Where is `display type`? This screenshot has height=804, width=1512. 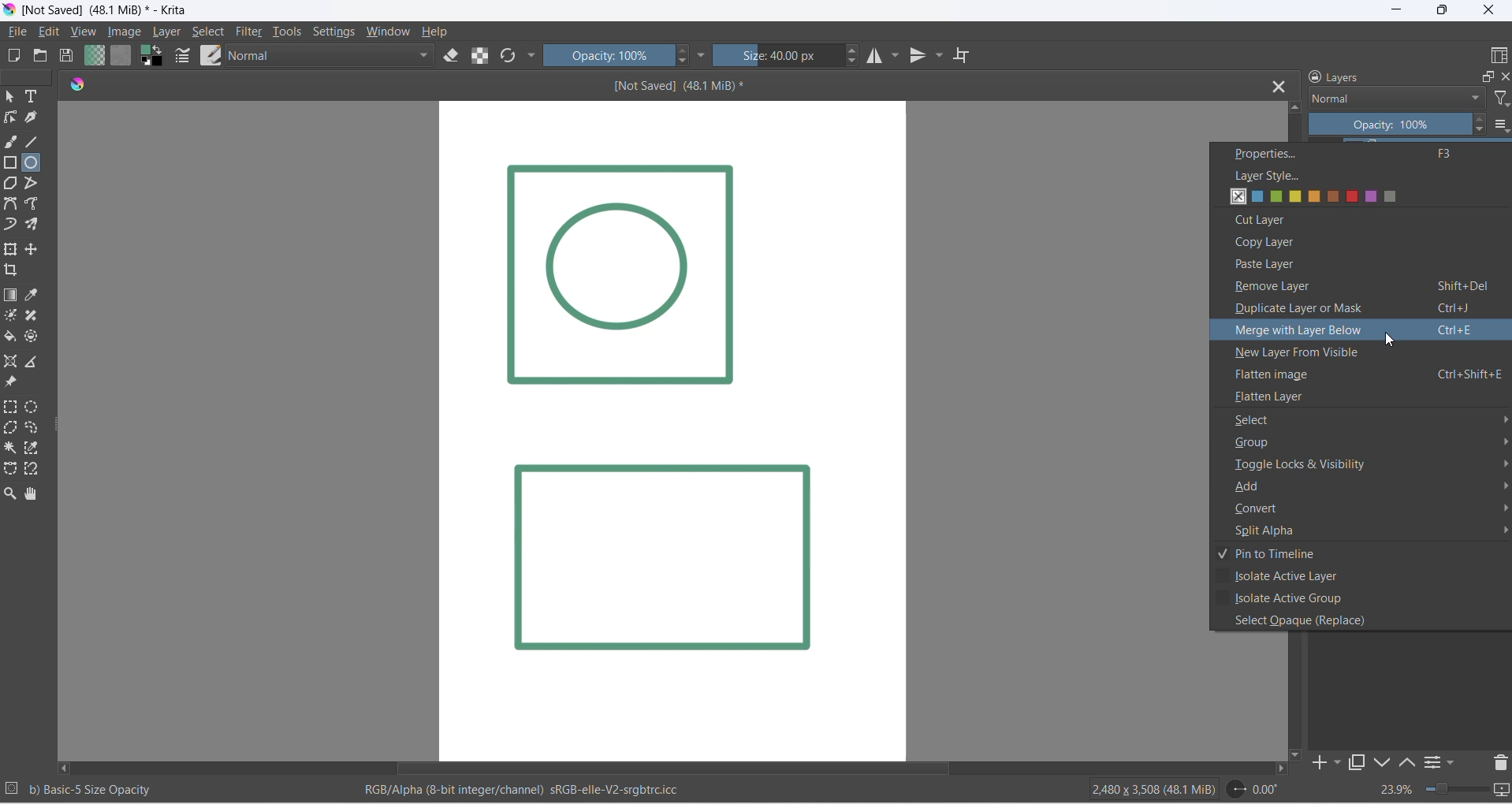
display type is located at coordinates (1496, 54).